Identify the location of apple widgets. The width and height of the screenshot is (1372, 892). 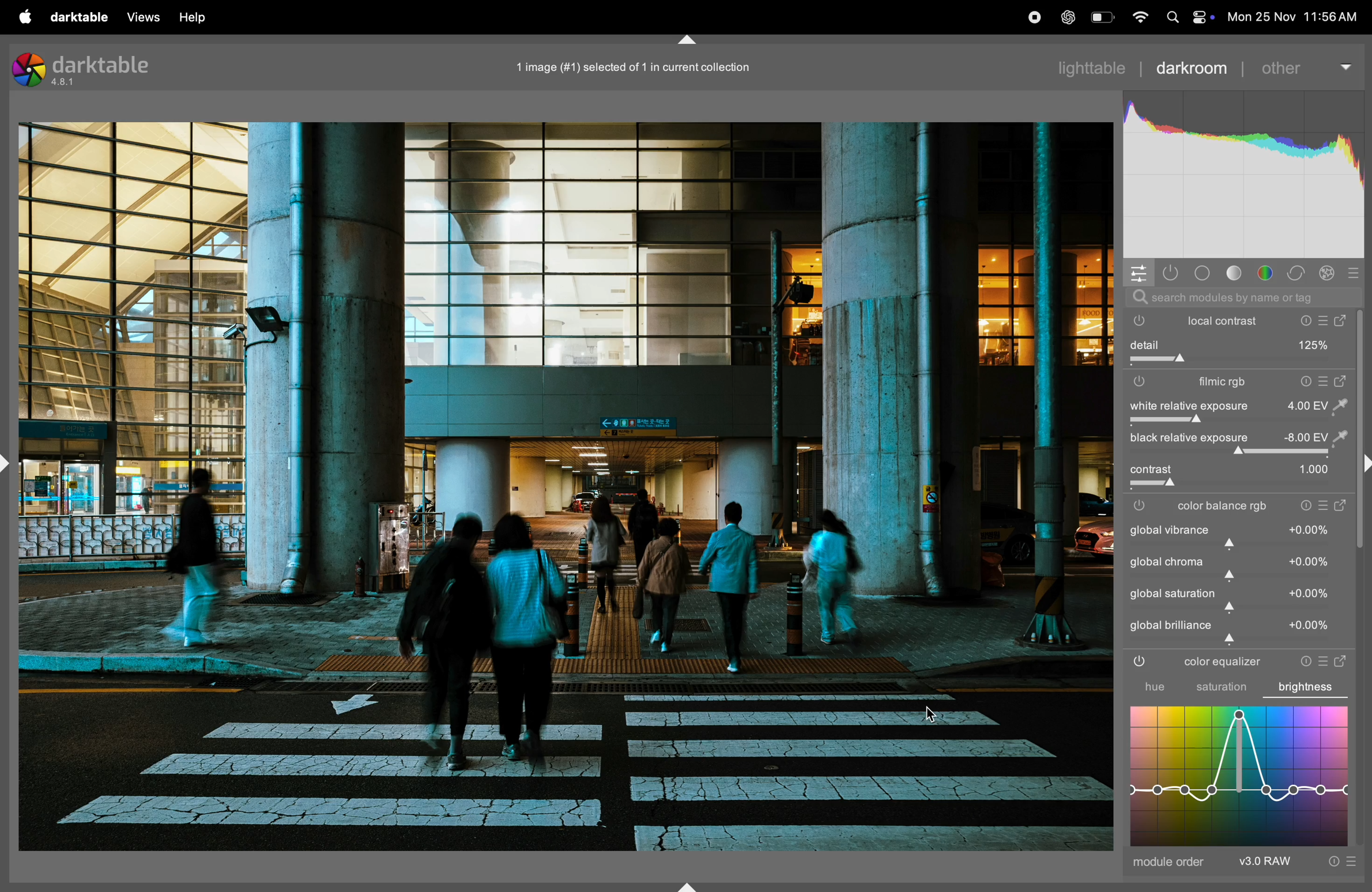
(1187, 17).